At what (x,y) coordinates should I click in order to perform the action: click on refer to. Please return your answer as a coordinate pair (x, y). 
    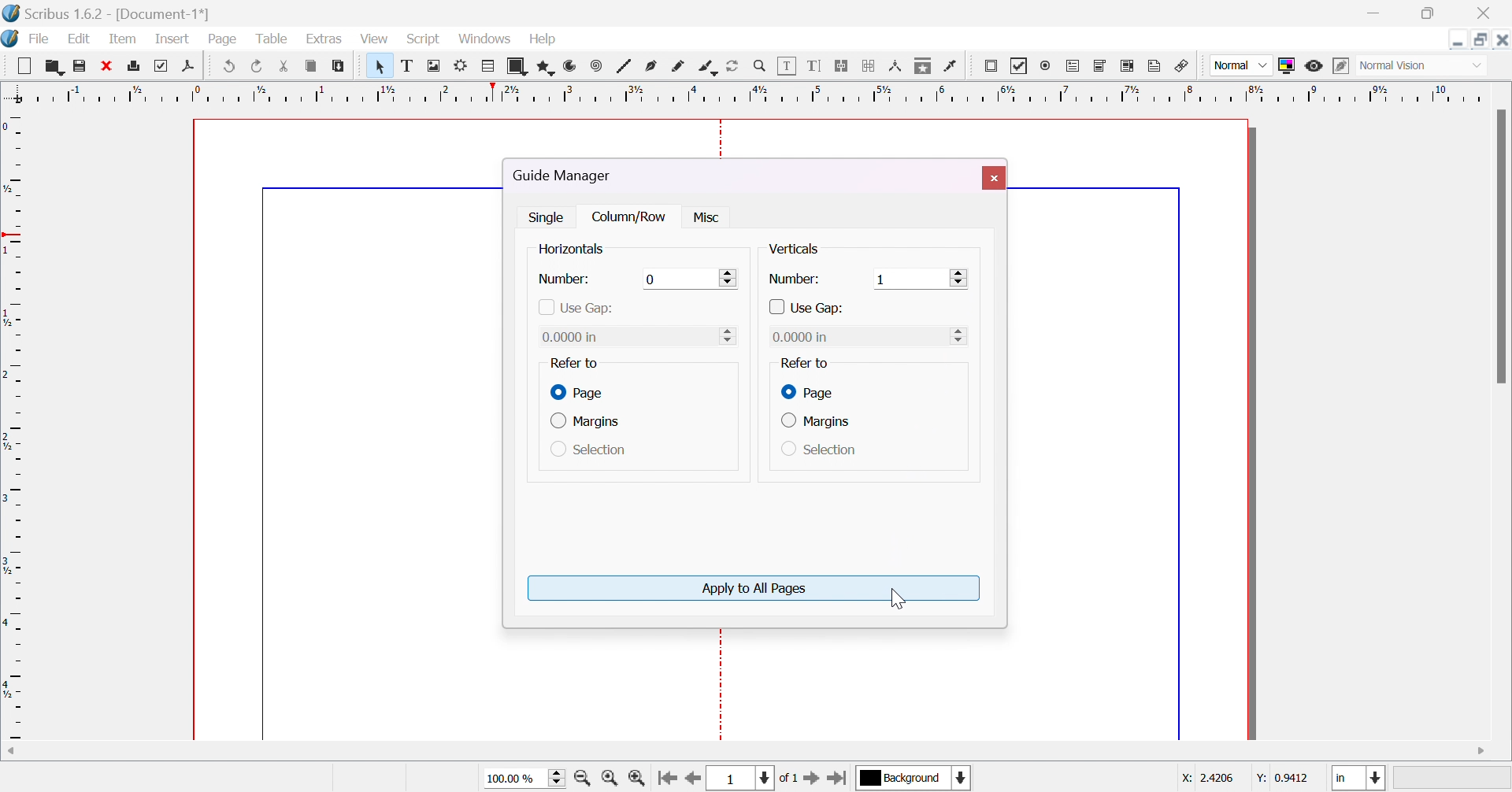
    Looking at the image, I should click on (803, 363).